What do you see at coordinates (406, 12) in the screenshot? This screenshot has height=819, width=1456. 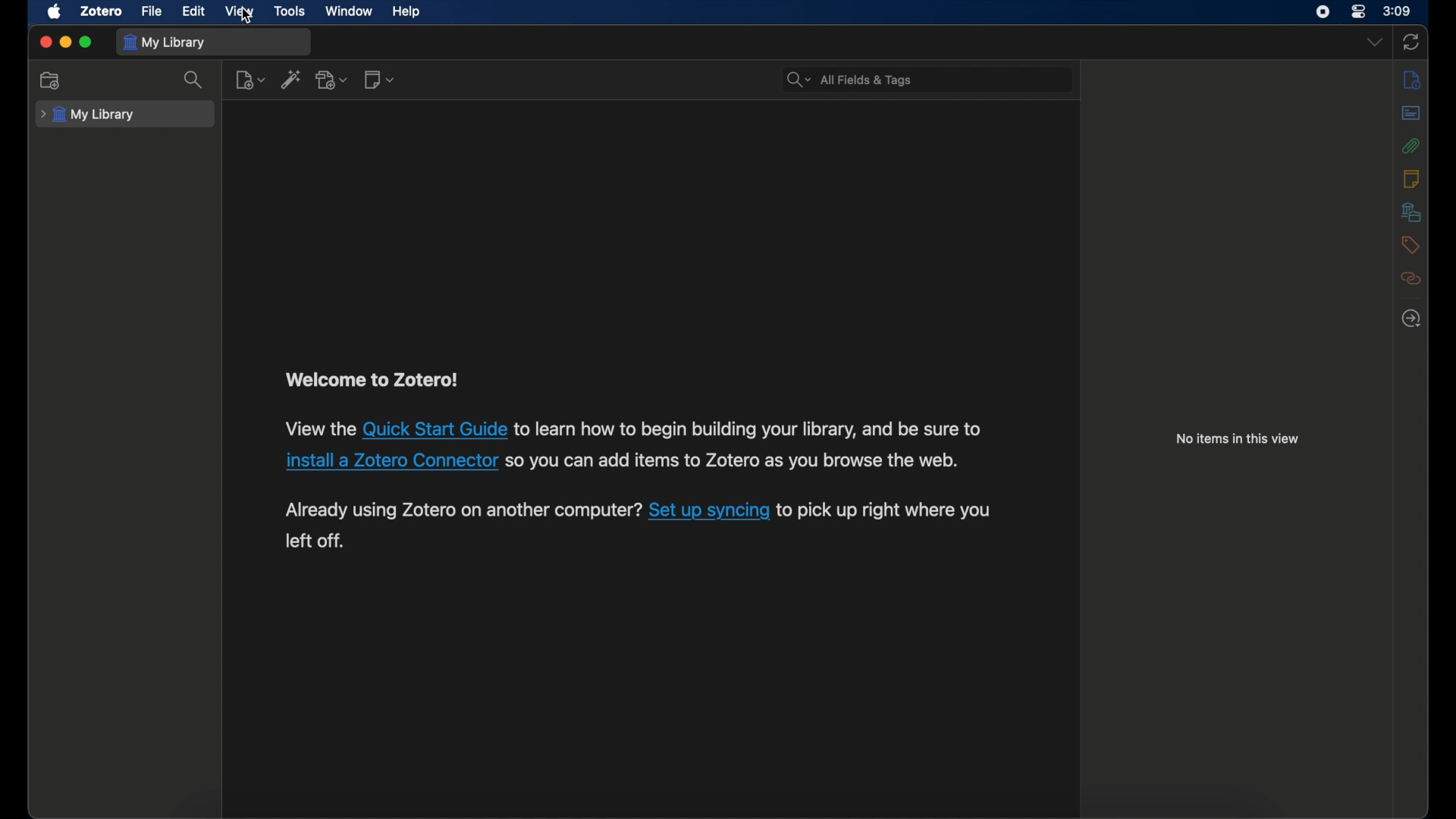 I see `help` at bounding box center [406, 12].